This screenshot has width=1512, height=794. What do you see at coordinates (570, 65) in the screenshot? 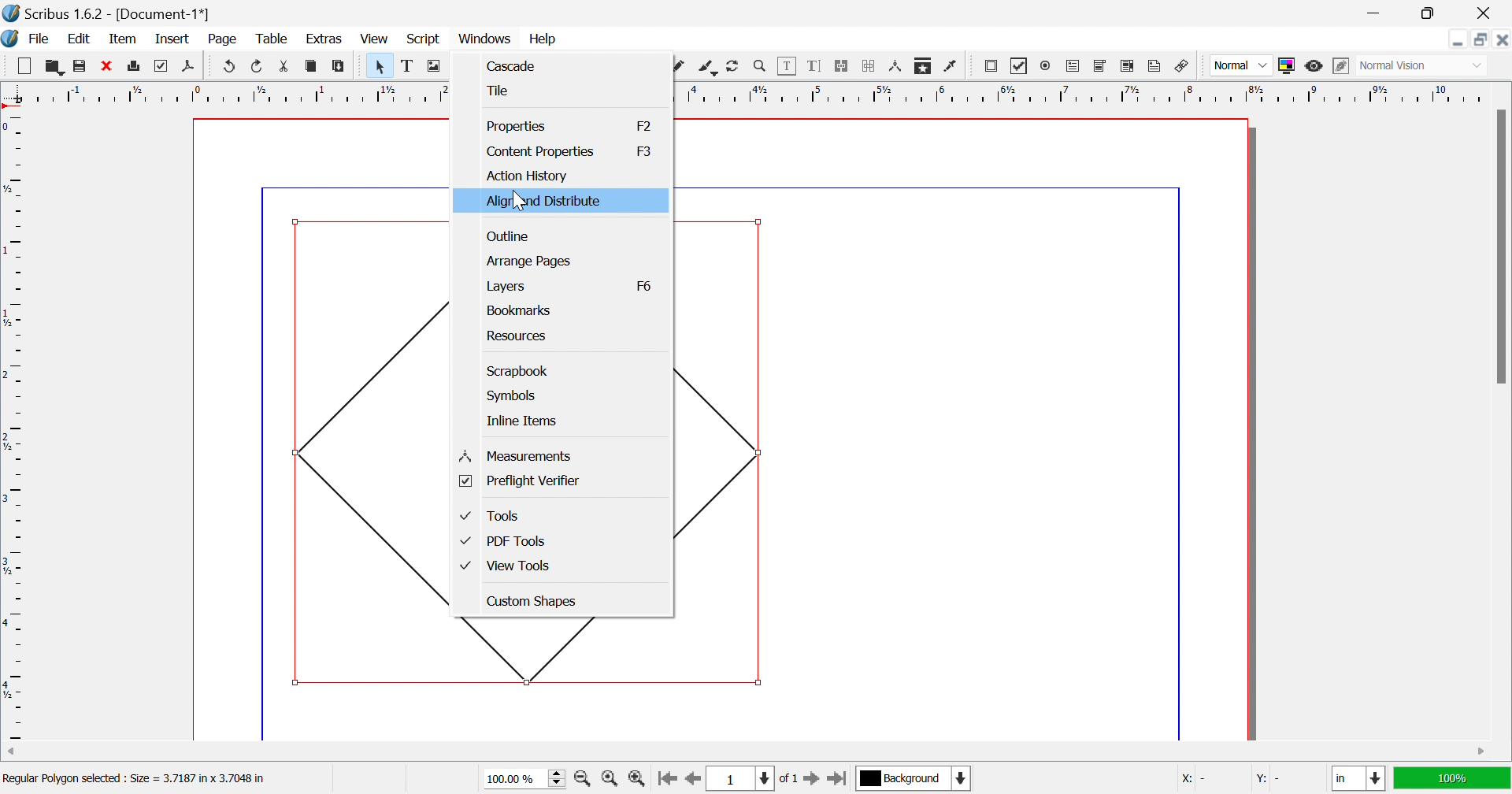
I see `Arc` at bounding box center [570, 65].